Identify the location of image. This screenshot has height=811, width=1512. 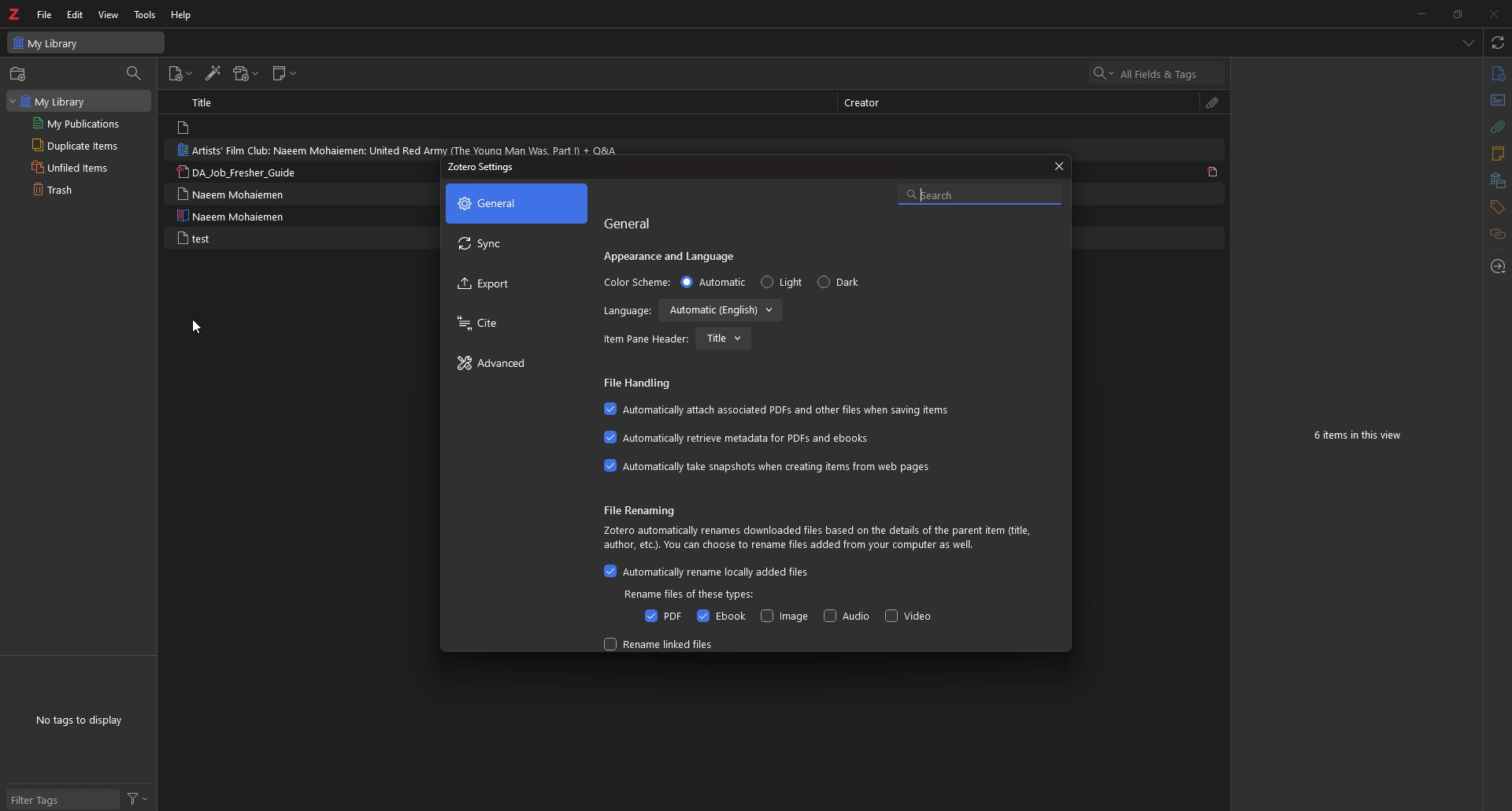
(782, 616).